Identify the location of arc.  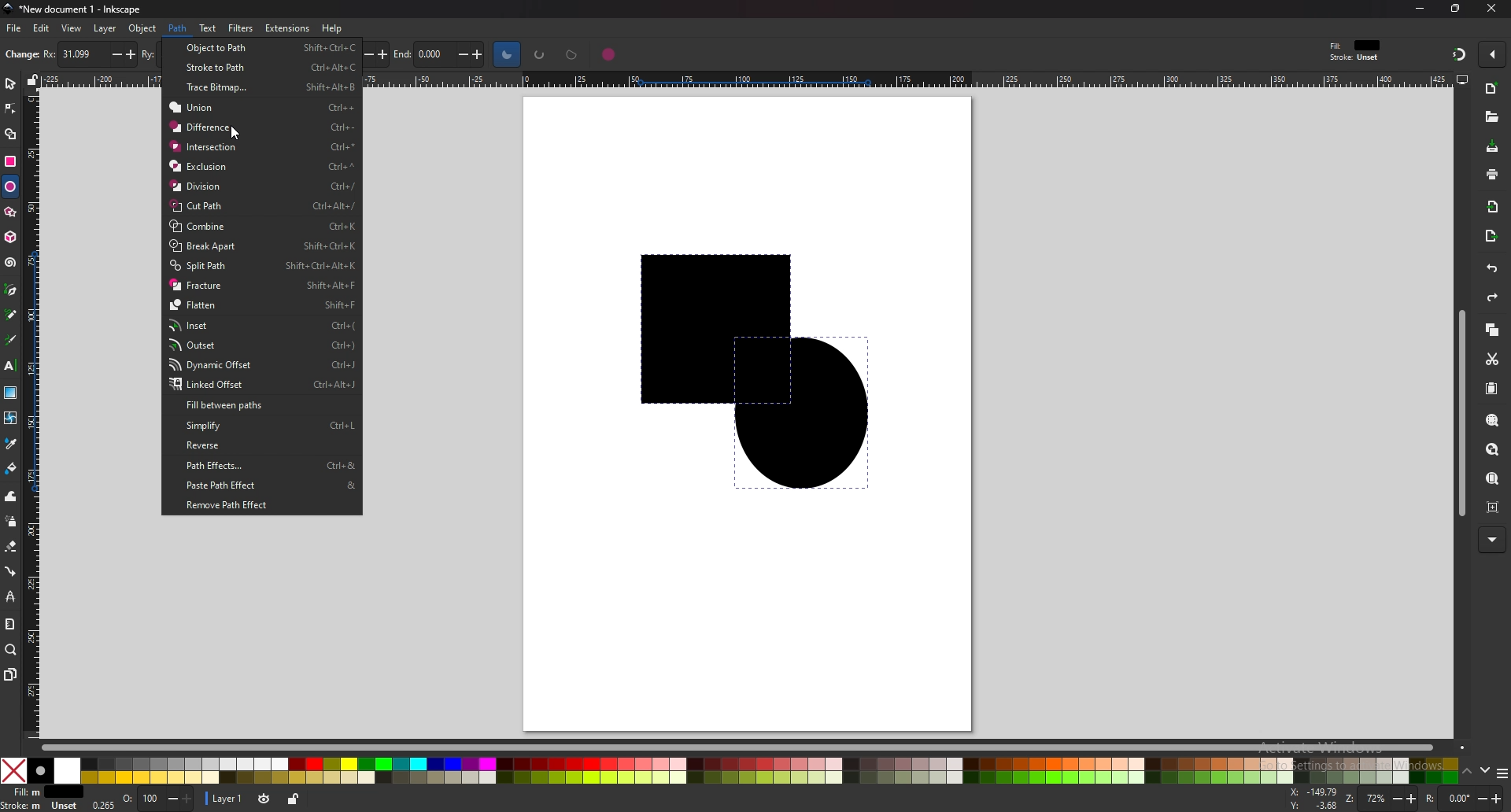
(540, 54).